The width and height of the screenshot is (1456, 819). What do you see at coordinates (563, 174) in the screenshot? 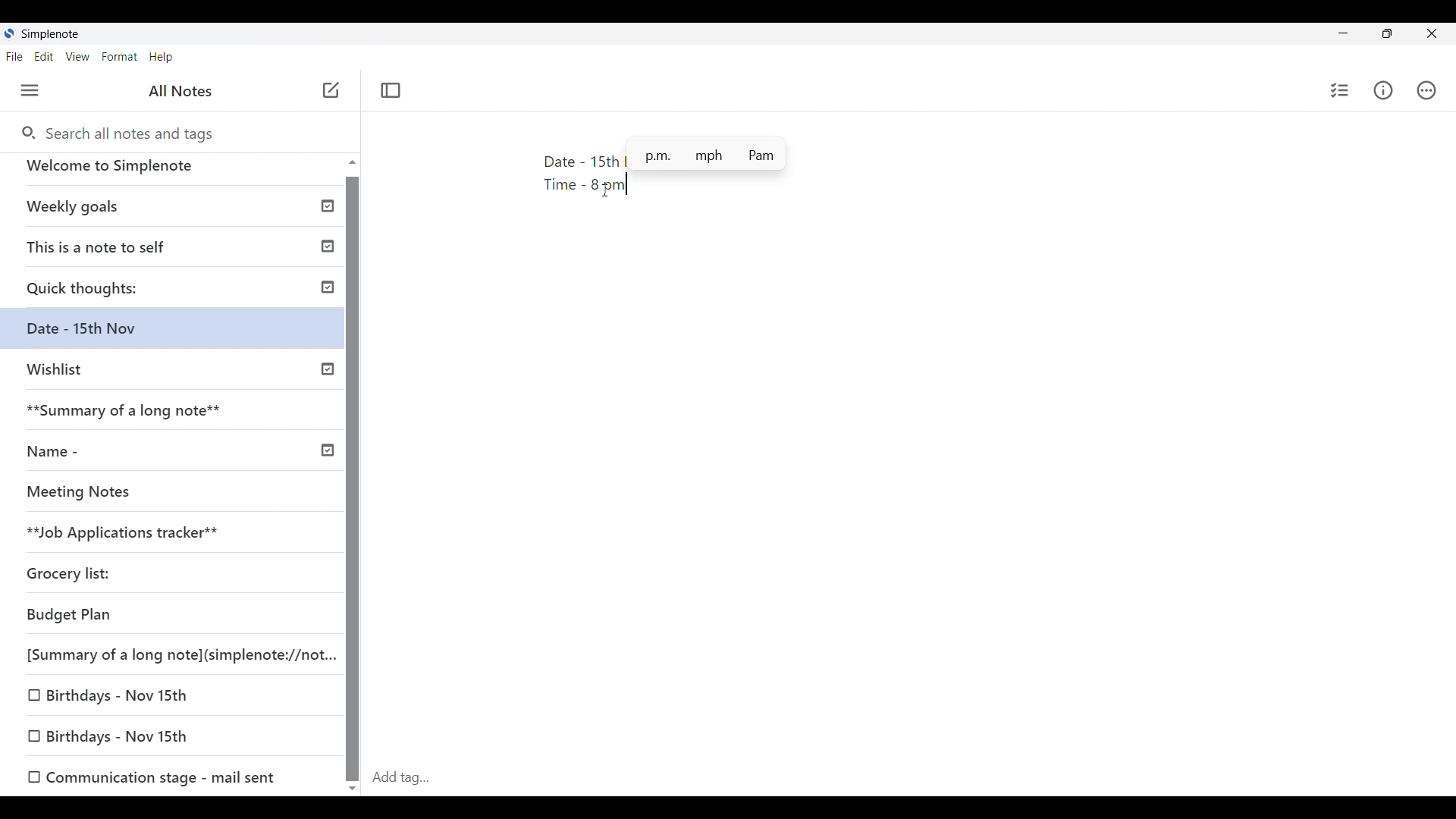
I see `Text pasted` at bounding box center [563, 174].